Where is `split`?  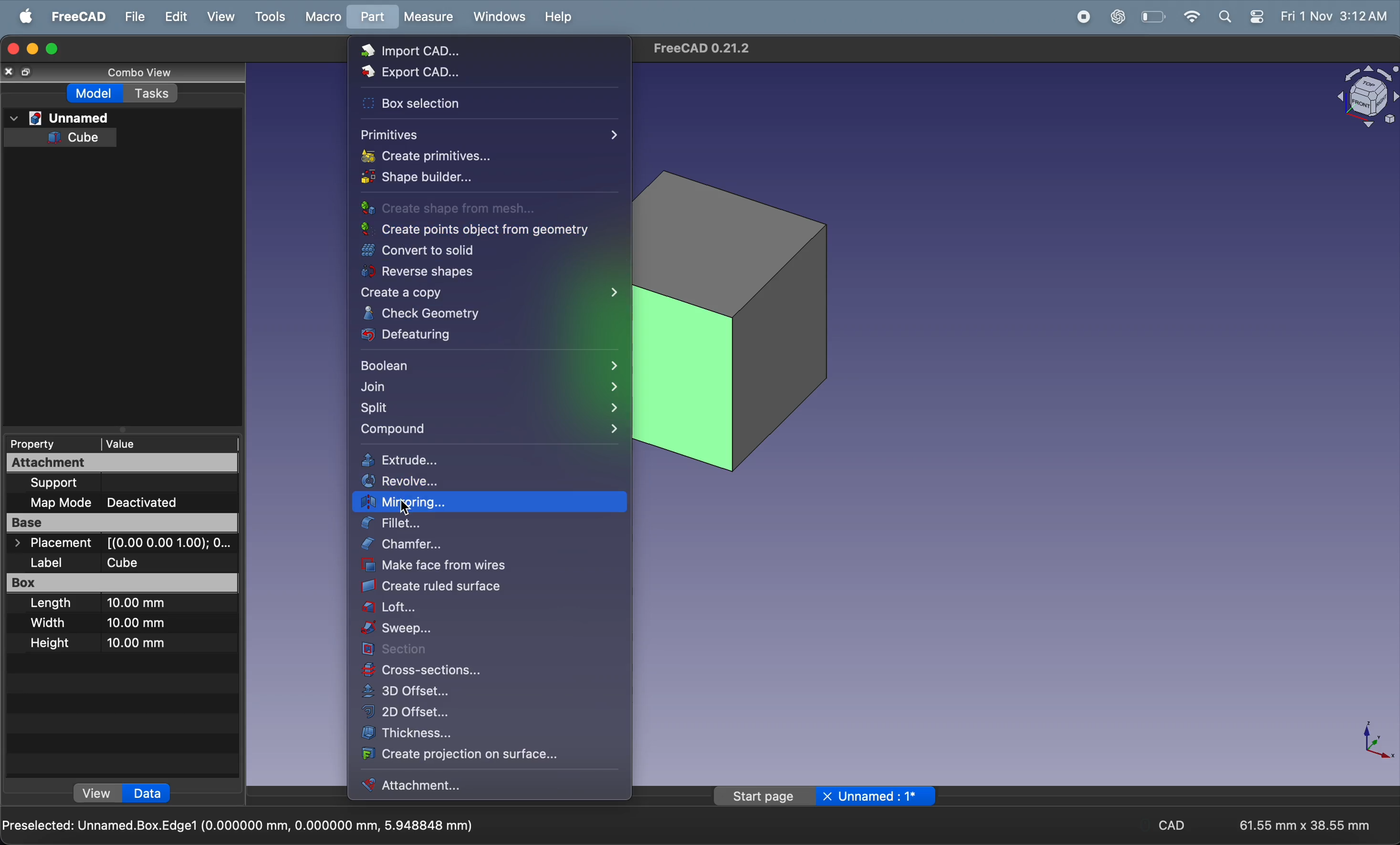
split is located at coordinates (490, 411).